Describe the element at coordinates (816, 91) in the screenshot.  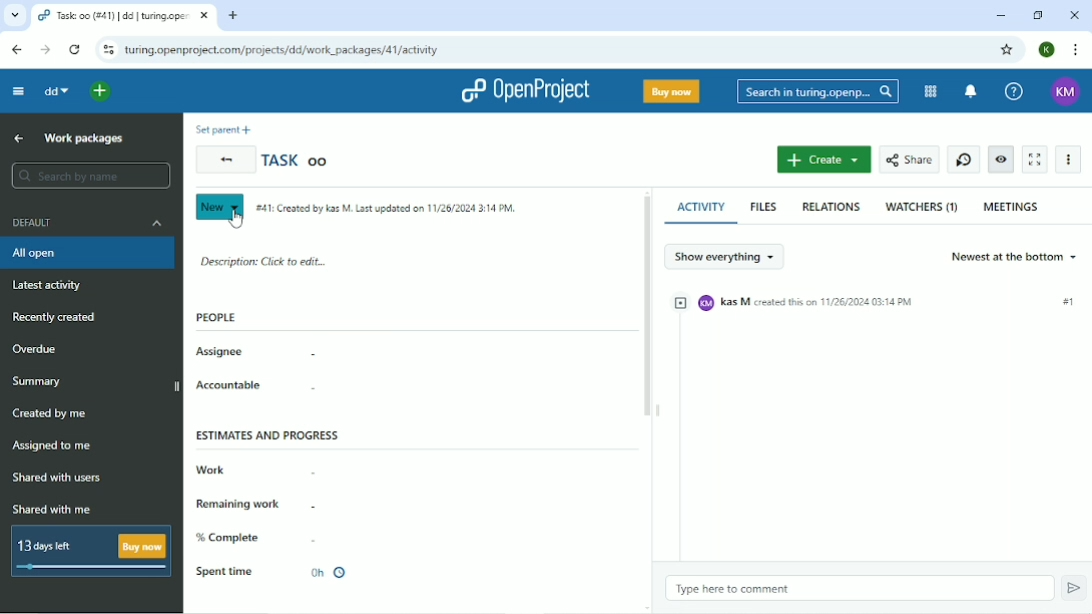
I see `Search in turing.openproject.com` at that location.